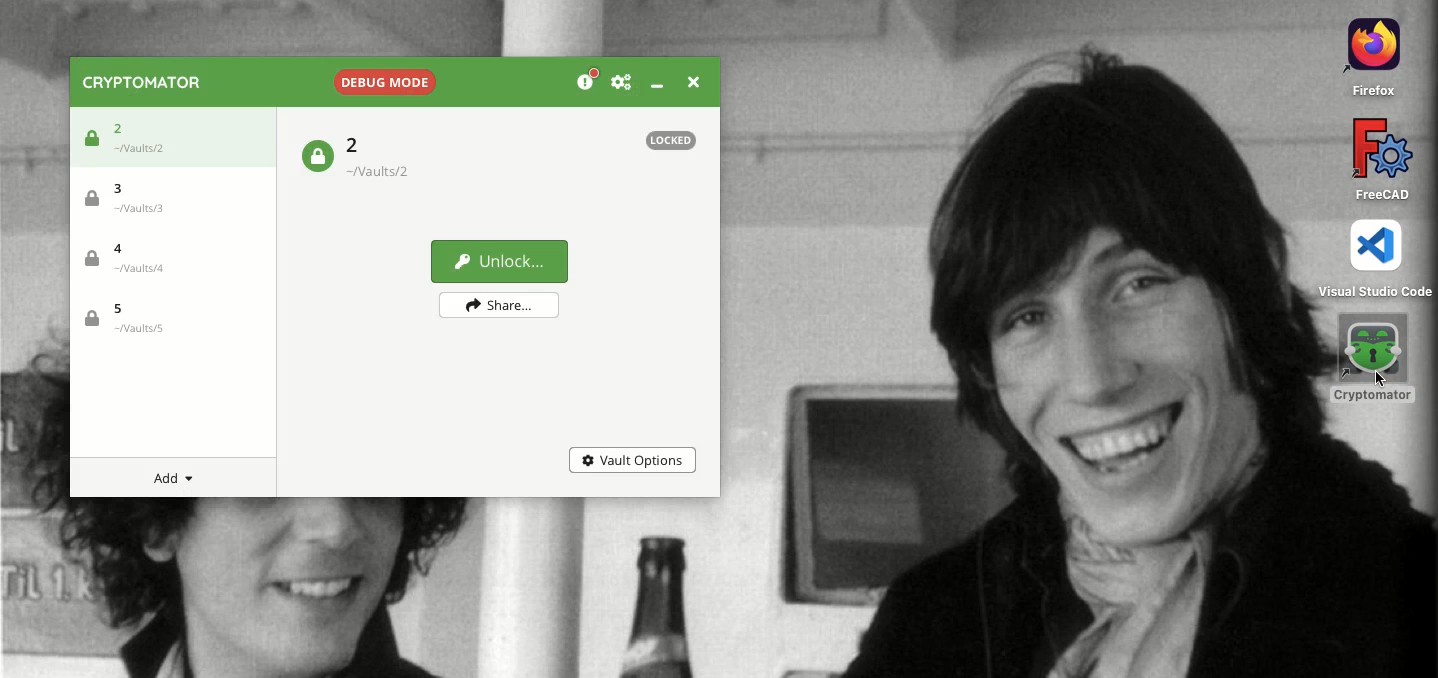 The height and width of the screenshot is (678, 1438). What do you see at coordinates (663, 82) in the screenshot?
I see `Minimize` at bounding box center [663, 82].